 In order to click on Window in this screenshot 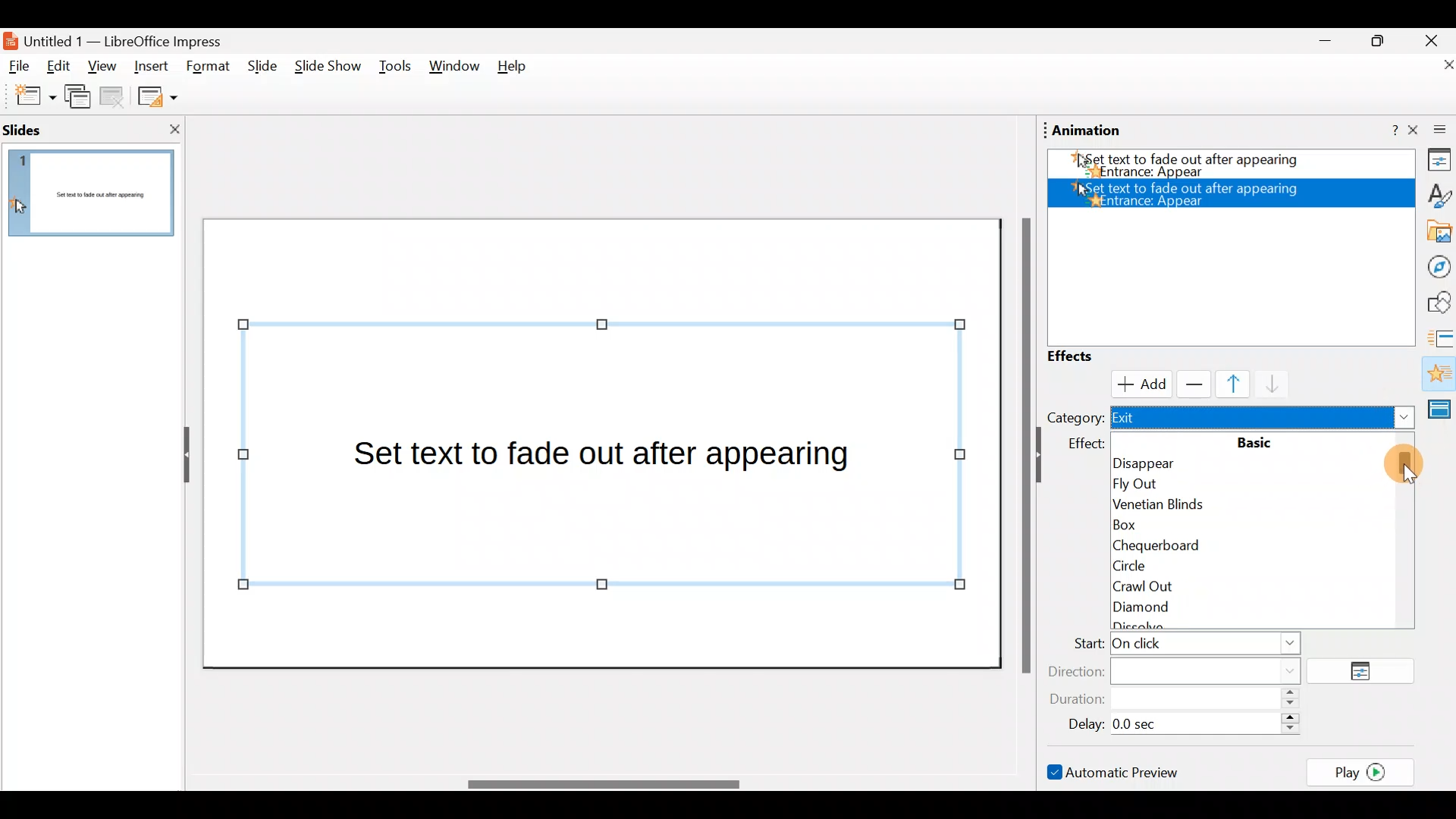, I will do `click(455, 70)`.